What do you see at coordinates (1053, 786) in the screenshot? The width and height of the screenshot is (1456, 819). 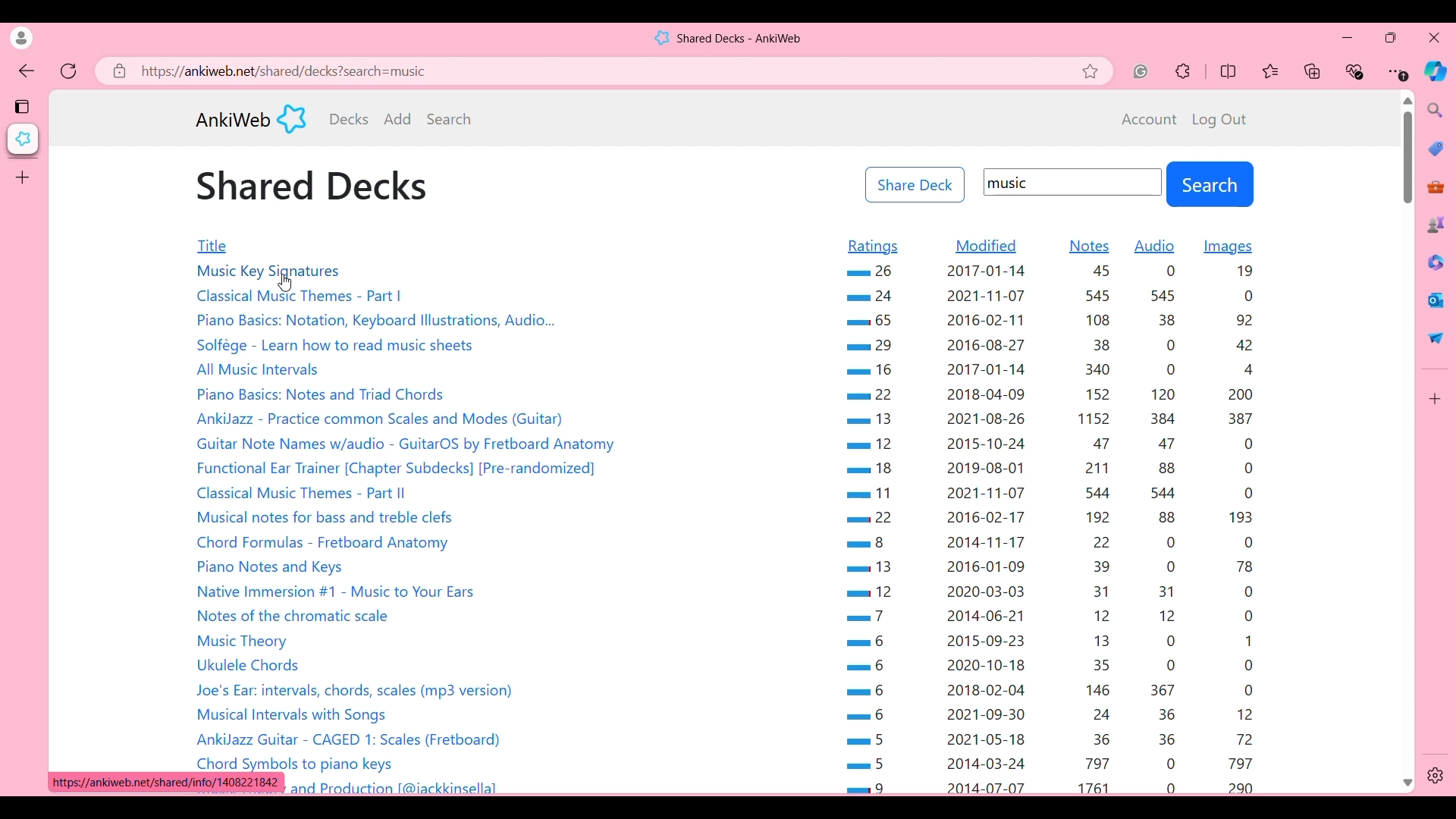 I see `9 2014-07-07 1761 0 290` at bounding box center [1053, 786].